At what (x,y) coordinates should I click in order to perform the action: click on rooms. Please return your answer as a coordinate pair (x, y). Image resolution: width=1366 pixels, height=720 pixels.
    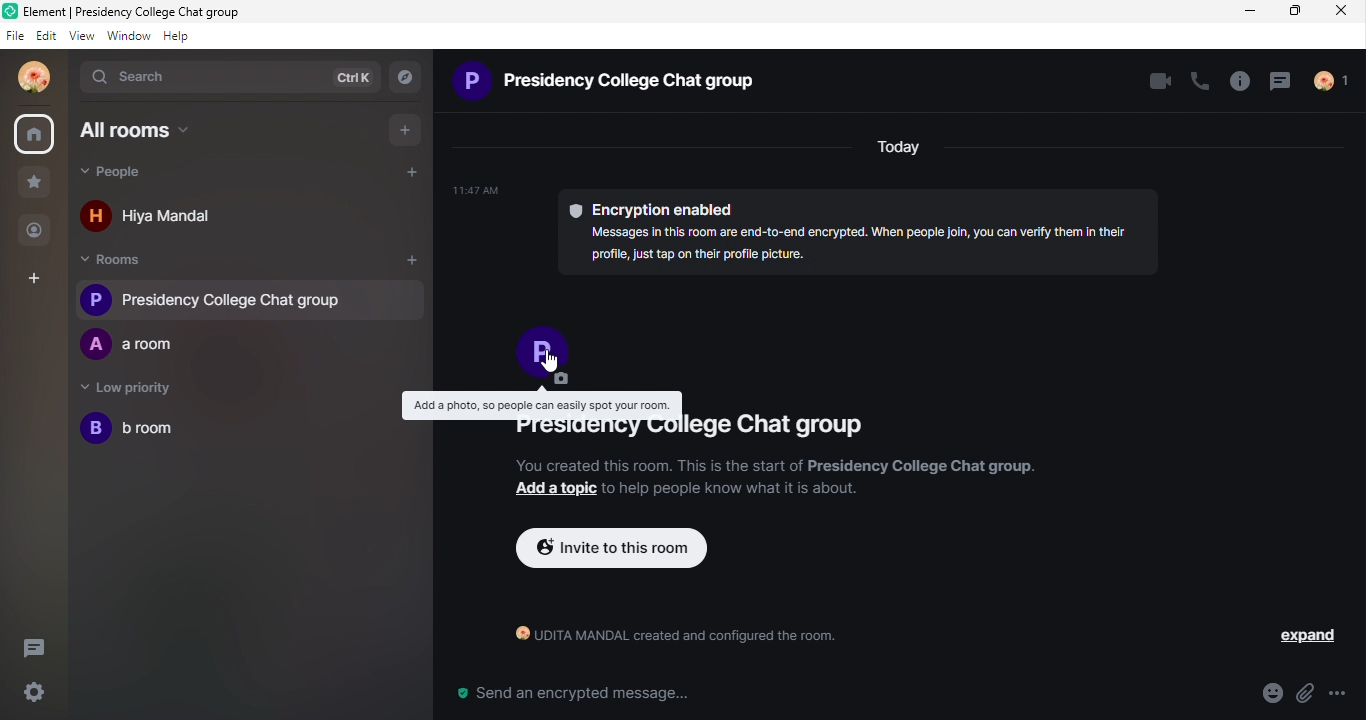
    Looking at the image, I should click on (123, 262).